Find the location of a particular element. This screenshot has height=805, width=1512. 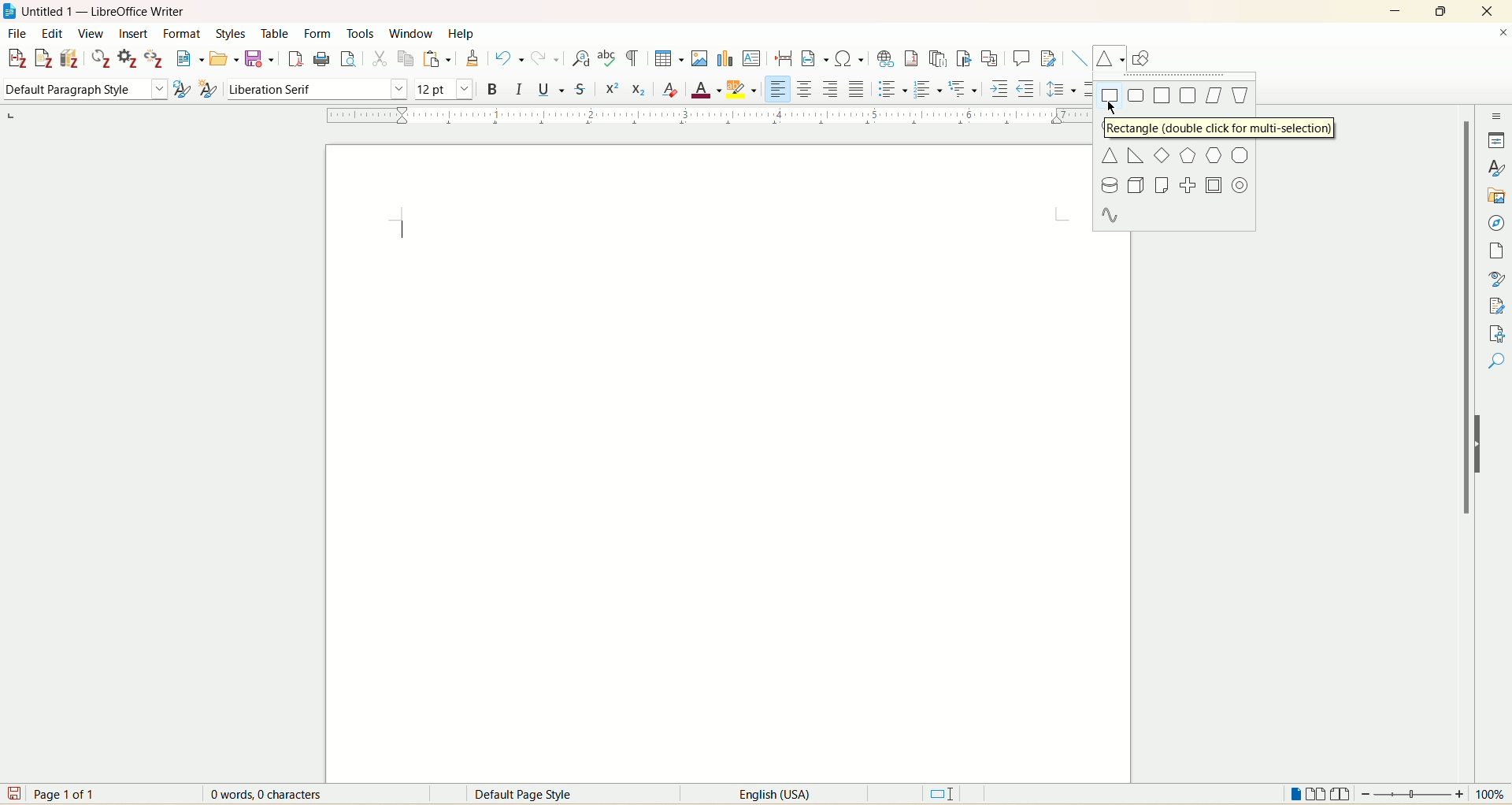

diamond is located at coordinates (1162, 154).